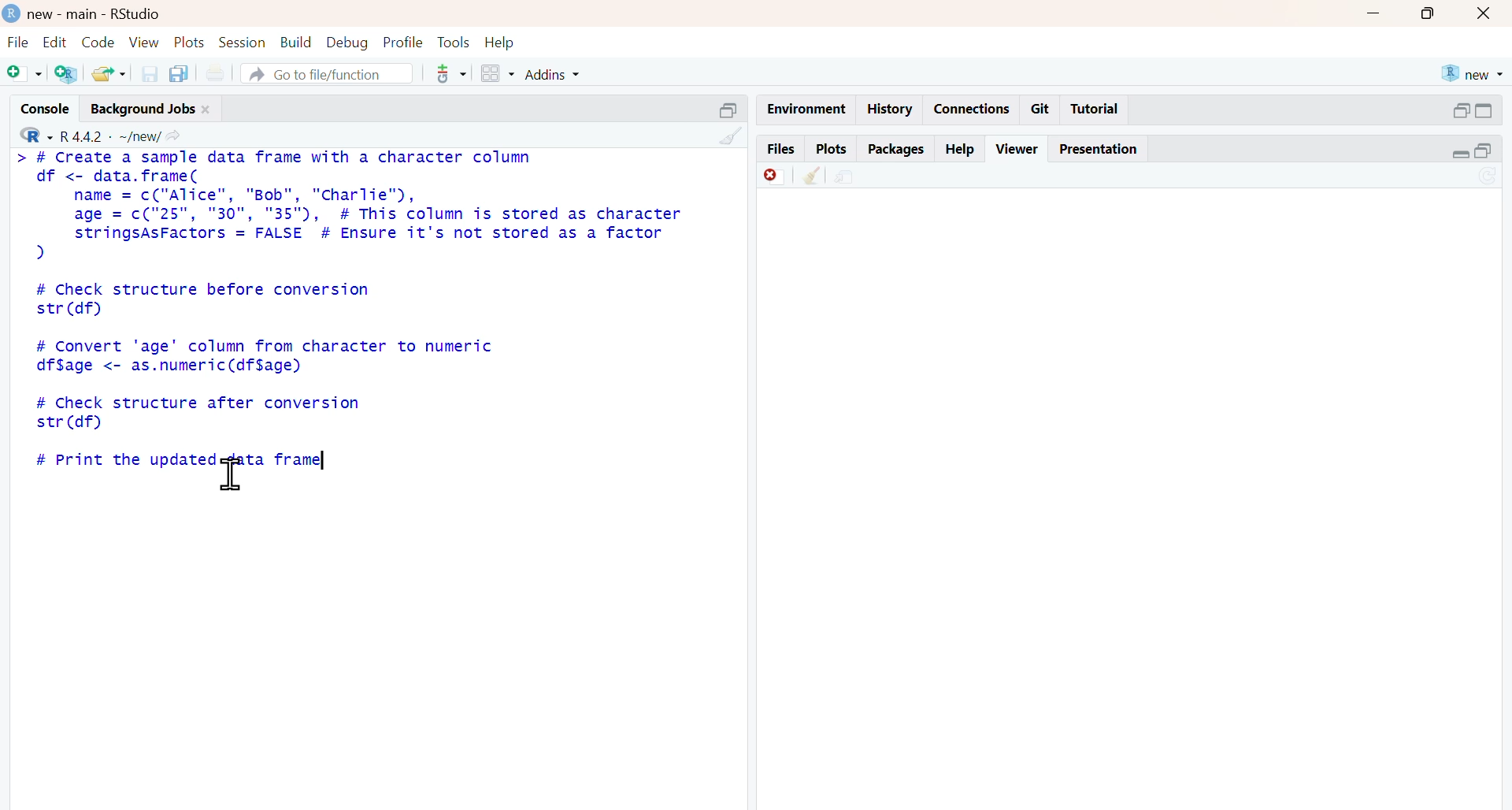 This screenshot has width=1512, height=810. What do you see at coordinates (178, 74) in the screenshot?
I see `copy` at bounding box center [178, 74].